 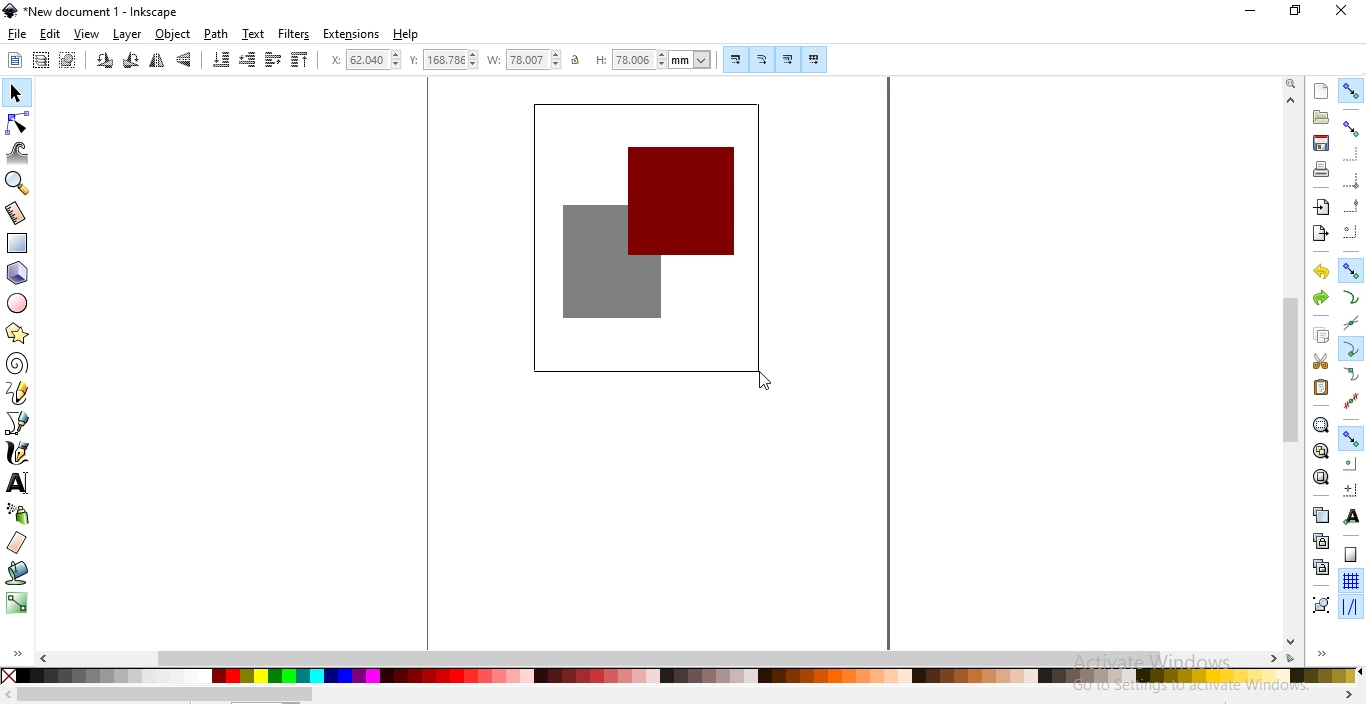 What do you see at coordinates (19, 123) in the screenshot?
I see `edit paths by nodes` at bounding box center [19, 123].